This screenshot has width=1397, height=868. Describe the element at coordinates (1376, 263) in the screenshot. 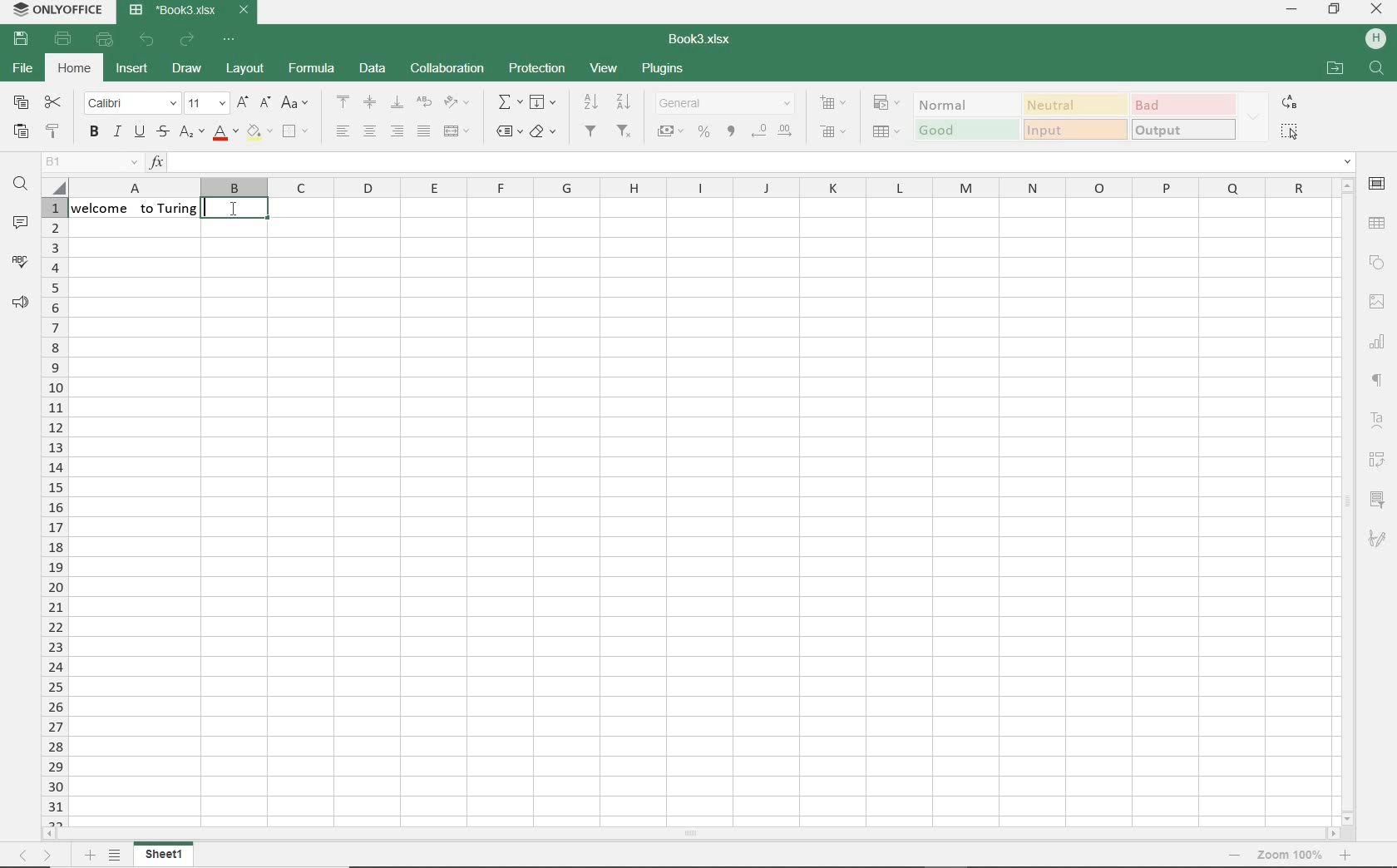

I see `shape` at that location.